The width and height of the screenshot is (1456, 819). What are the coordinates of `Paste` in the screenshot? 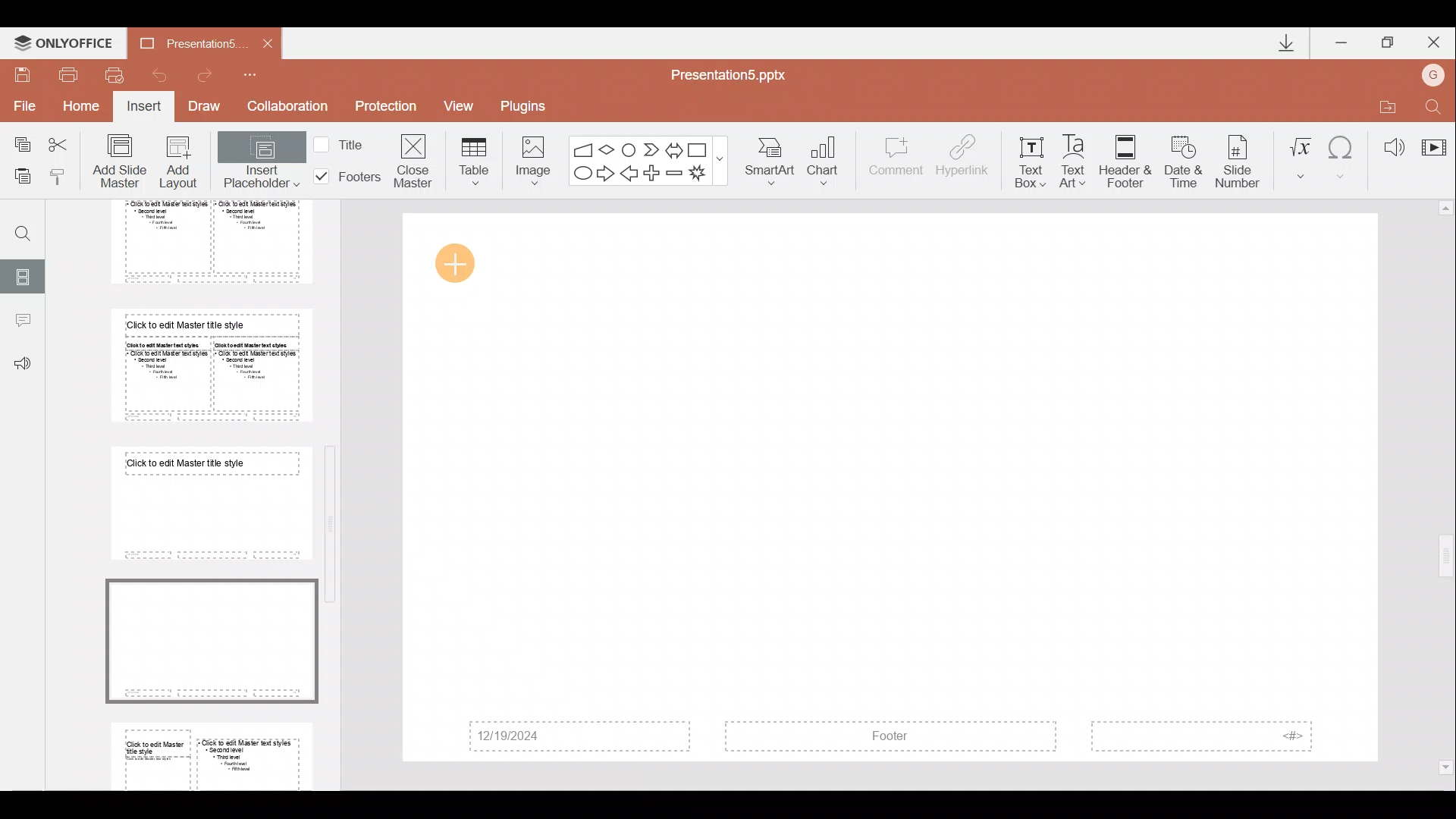 It's located at (22, 178).